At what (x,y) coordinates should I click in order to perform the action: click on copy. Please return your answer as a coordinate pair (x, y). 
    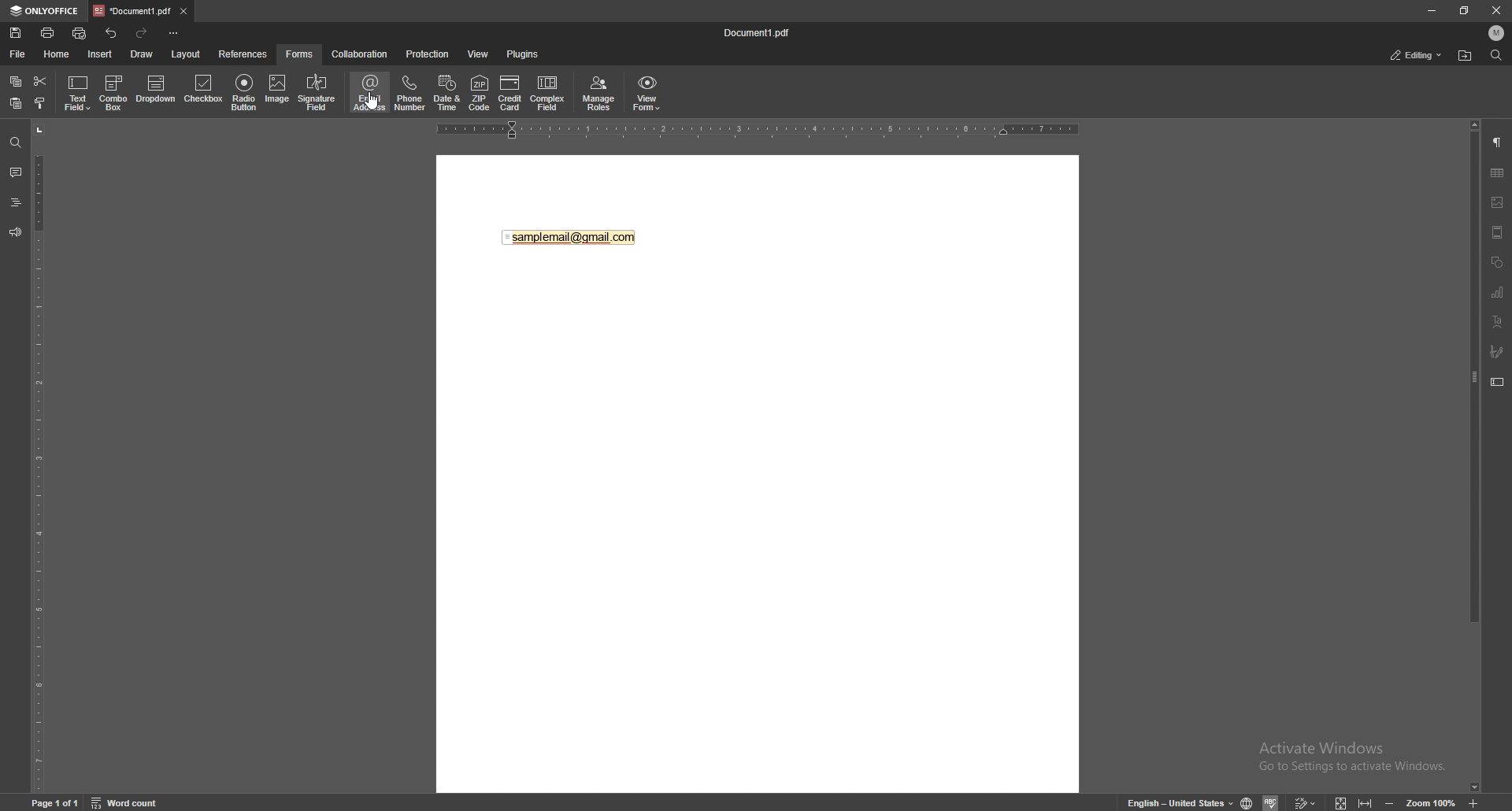
    Looking at the image, I should click on (15, 80).